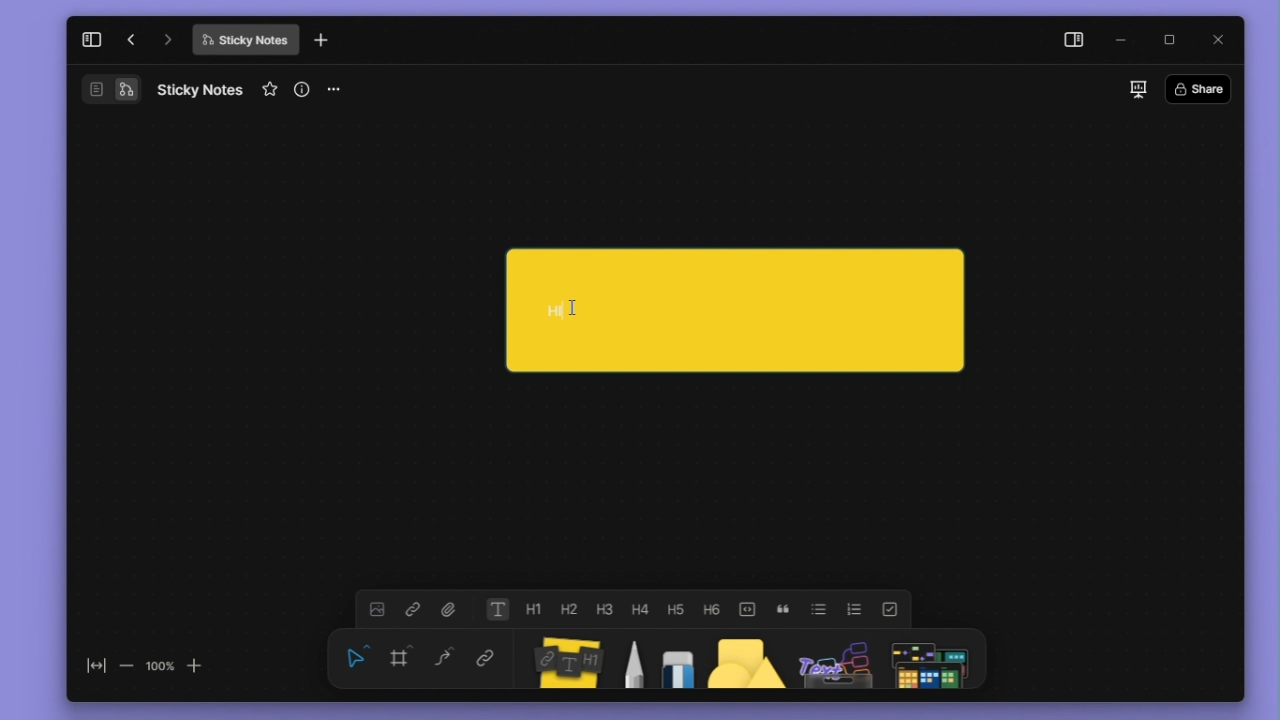  What do you see at coordinates (91, 47) in the screenshot?
I see `collapse sidebar` at bounding box center [91, 47].